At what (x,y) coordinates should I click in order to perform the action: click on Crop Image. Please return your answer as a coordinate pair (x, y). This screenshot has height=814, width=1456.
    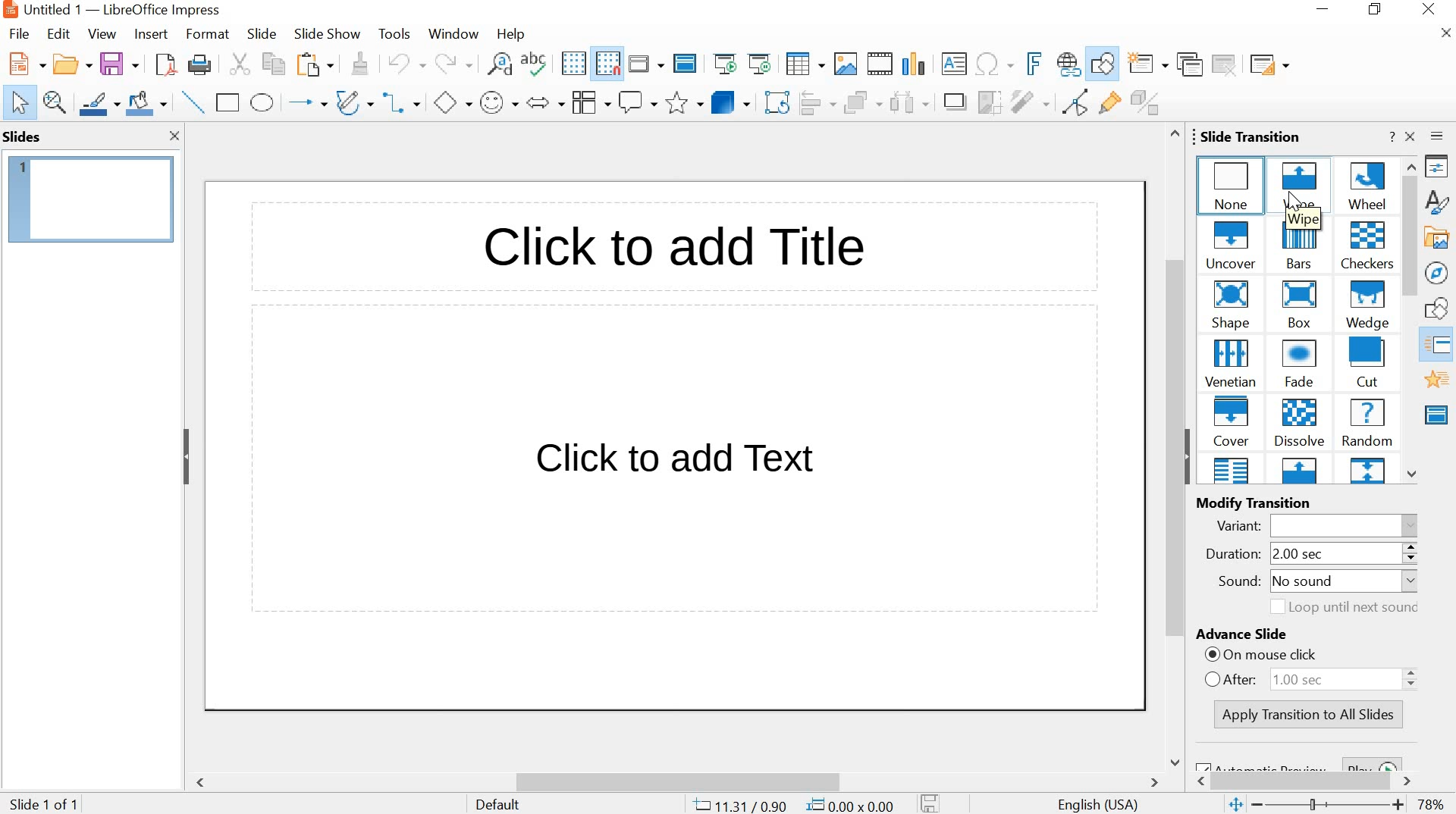
    Looking at the image, I should click on (988, 101).